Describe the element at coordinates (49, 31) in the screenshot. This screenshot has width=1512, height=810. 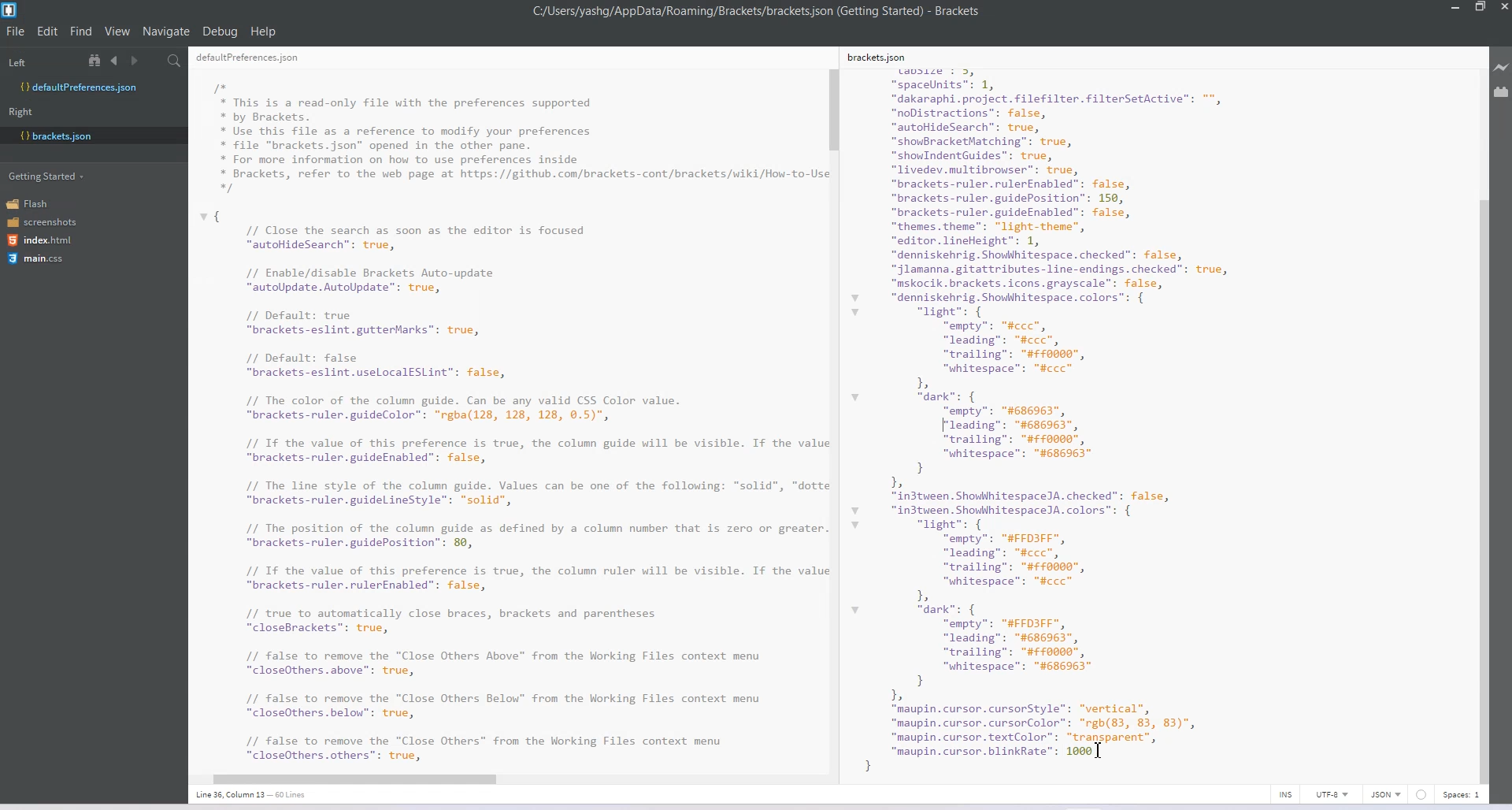
I see `Edit` at that location.